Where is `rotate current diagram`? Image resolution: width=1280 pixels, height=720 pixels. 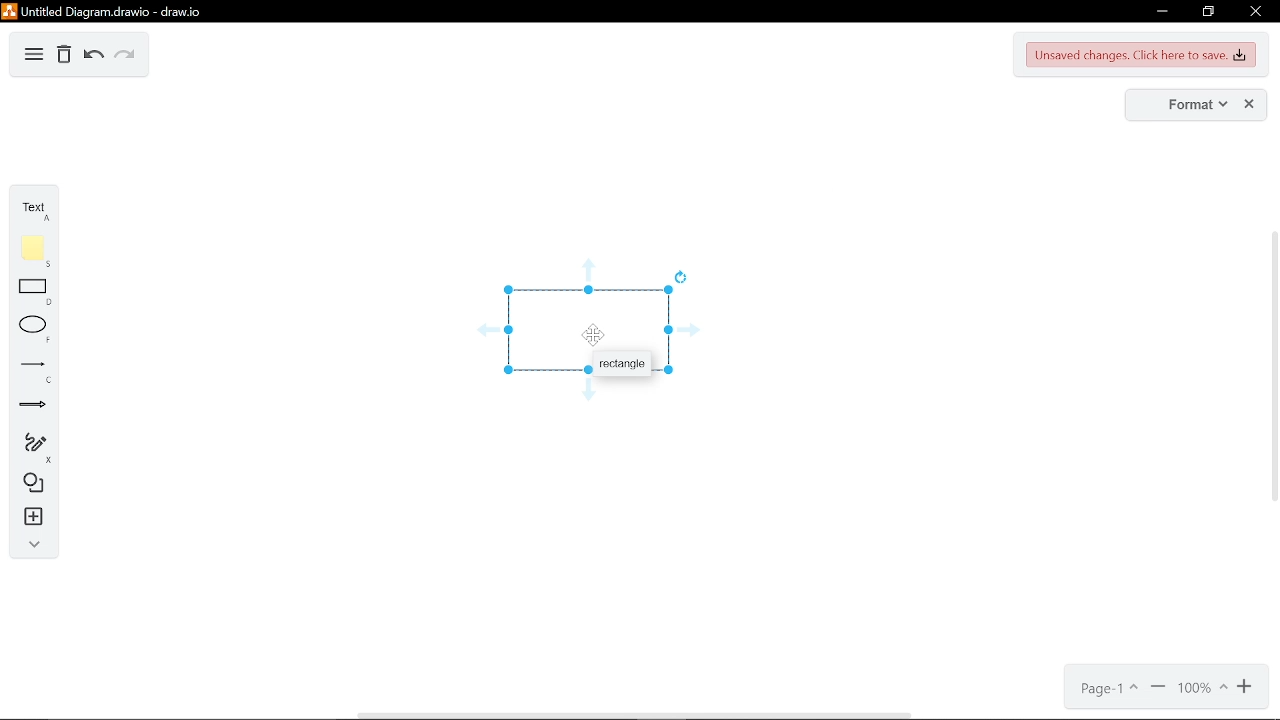 rotate current diagram is located at coordinates (682, 276).